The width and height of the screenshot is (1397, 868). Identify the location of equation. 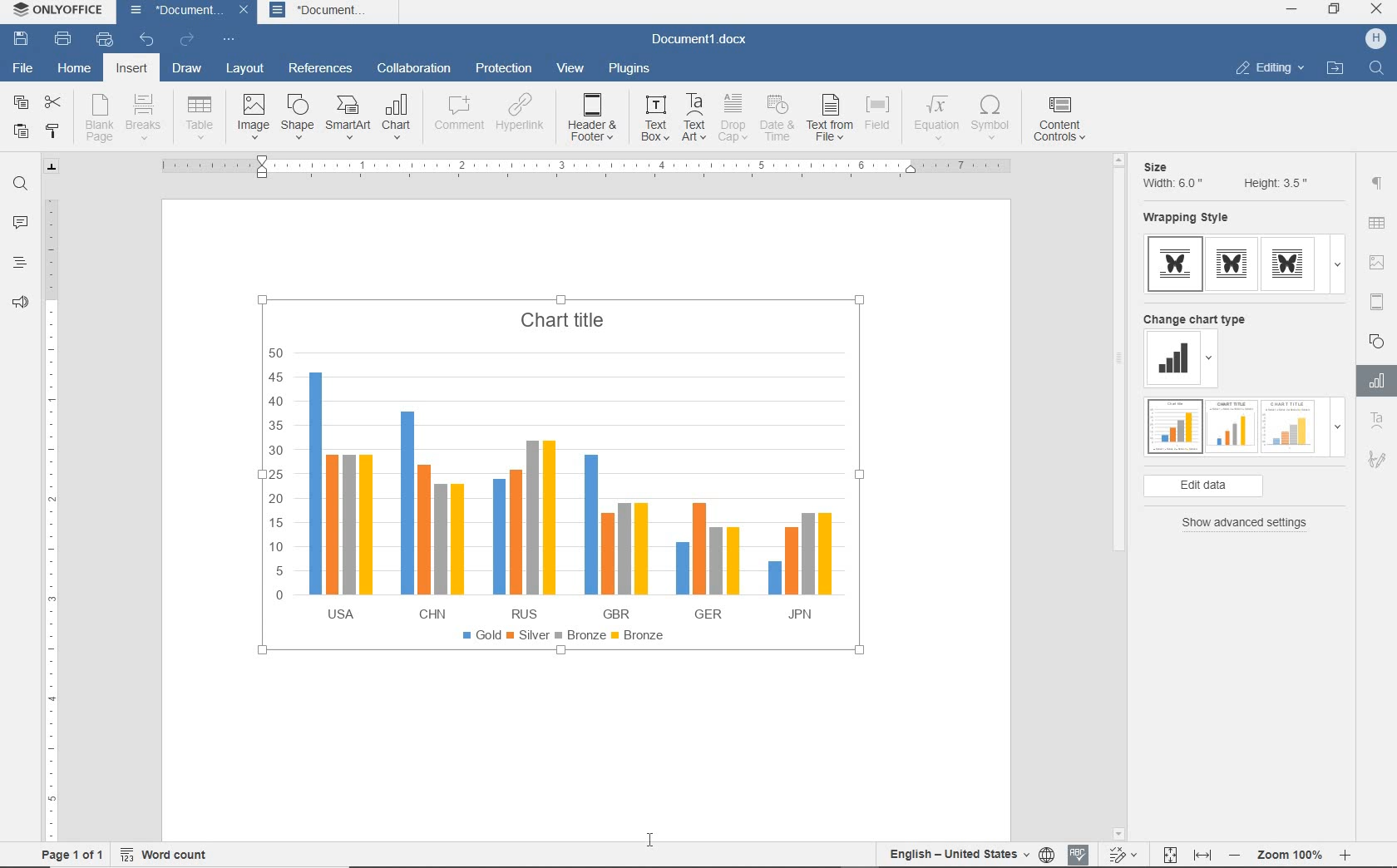
(933, 120).